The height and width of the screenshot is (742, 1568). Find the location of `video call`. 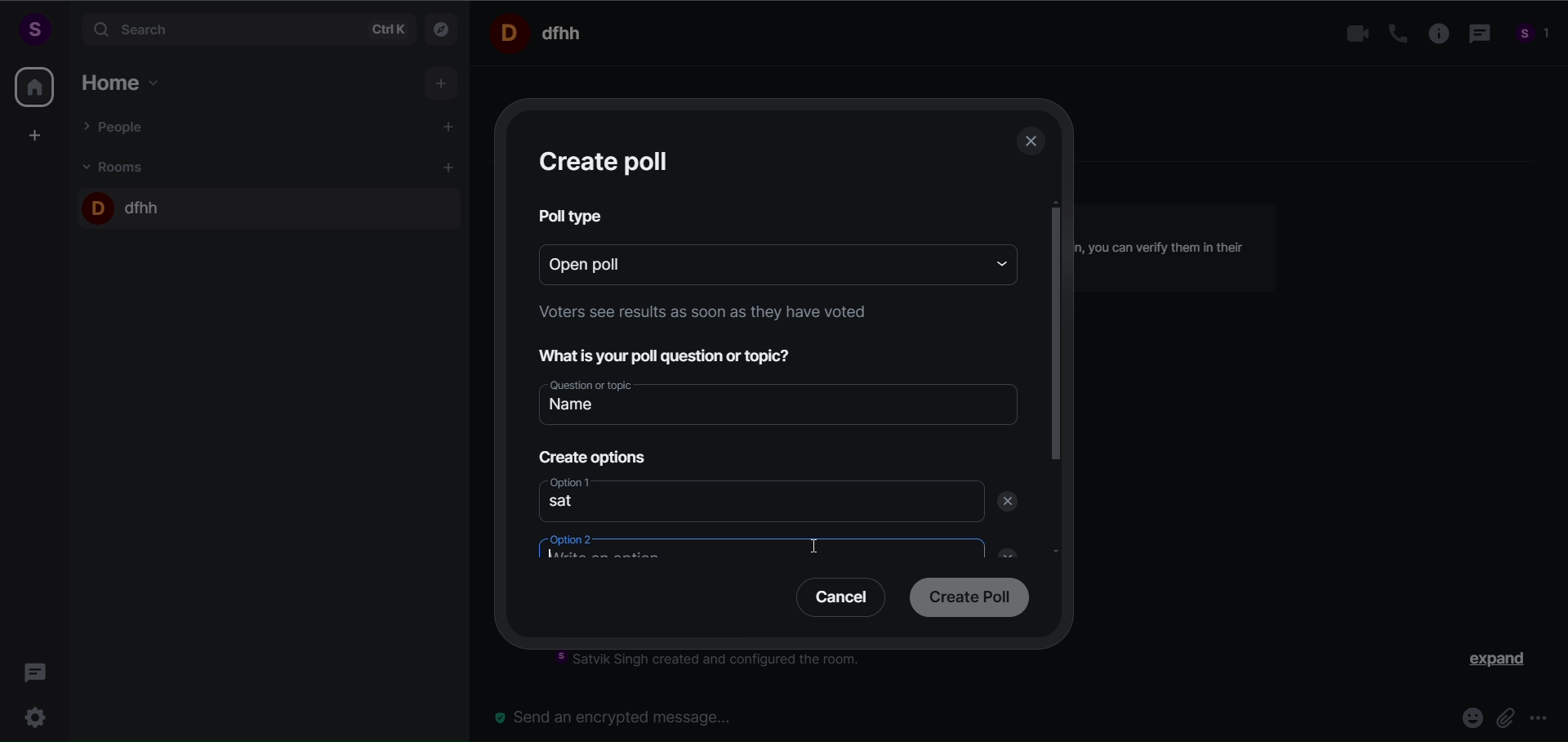

video call is located at coordinates (1353, 34).